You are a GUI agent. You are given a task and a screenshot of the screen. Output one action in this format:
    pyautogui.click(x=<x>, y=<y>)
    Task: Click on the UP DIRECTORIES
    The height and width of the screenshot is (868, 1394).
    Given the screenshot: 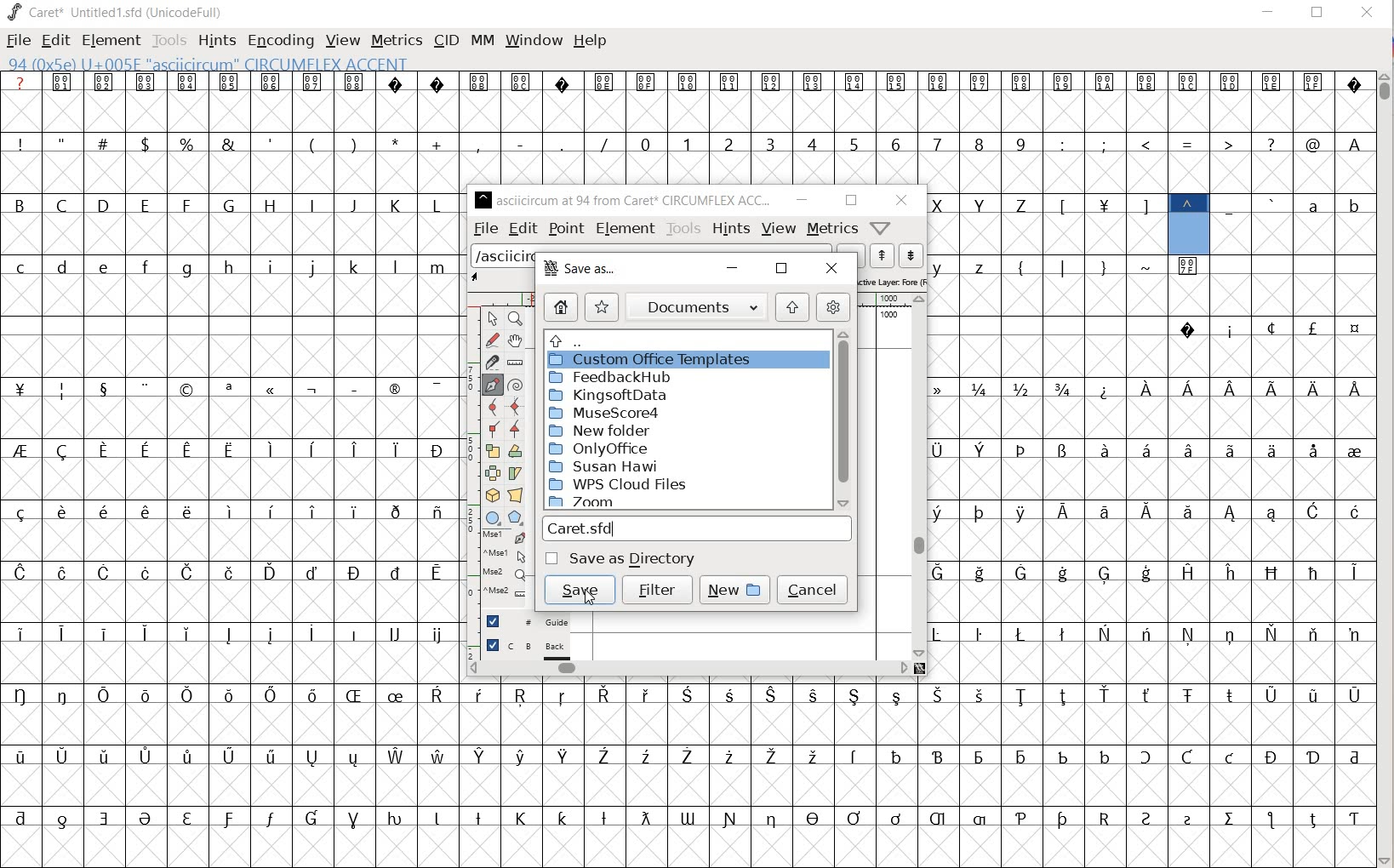 What is the action you would take?
    pyautogui.click(x=681, y=340)
    